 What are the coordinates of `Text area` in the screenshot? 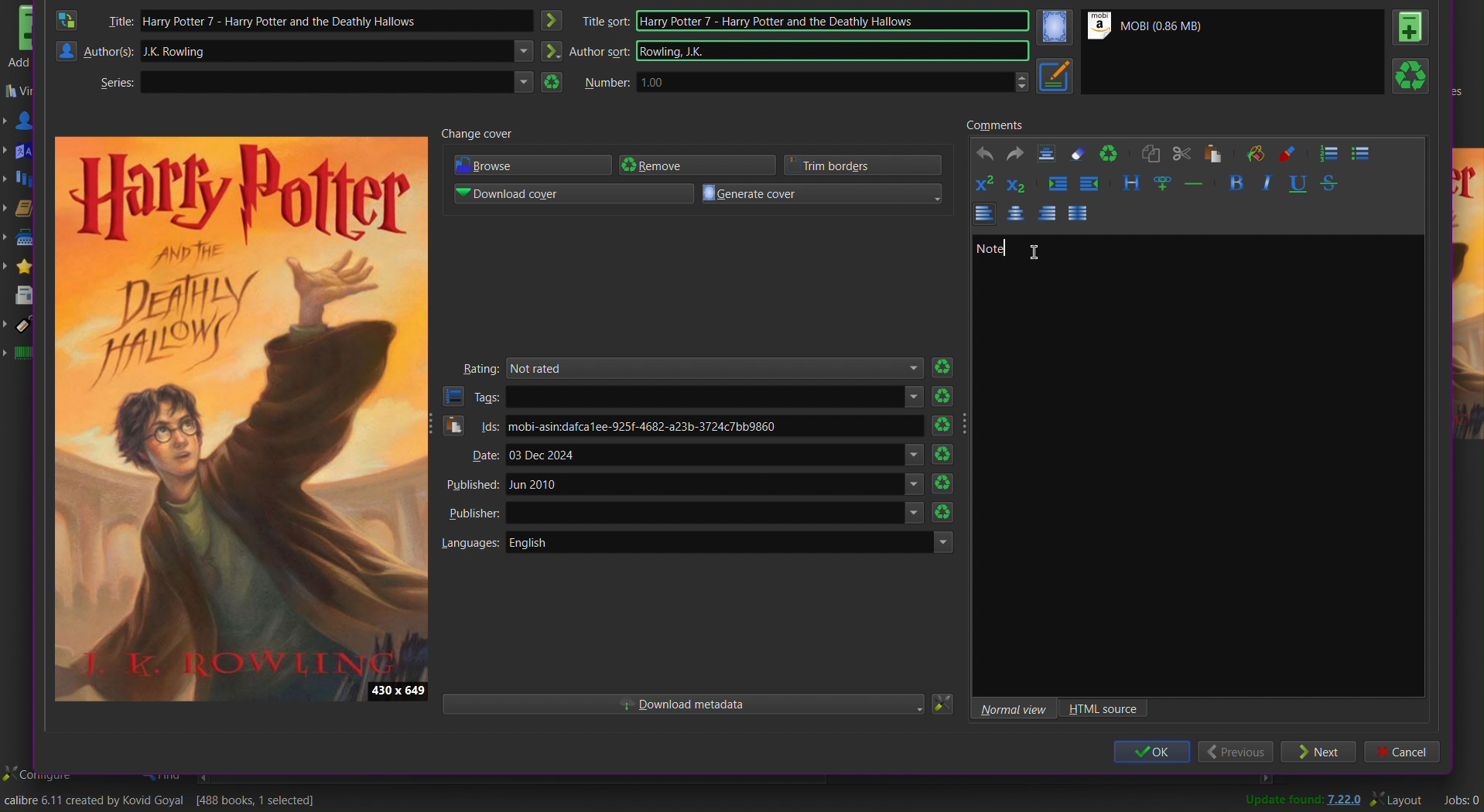 It's located at (356, 81).